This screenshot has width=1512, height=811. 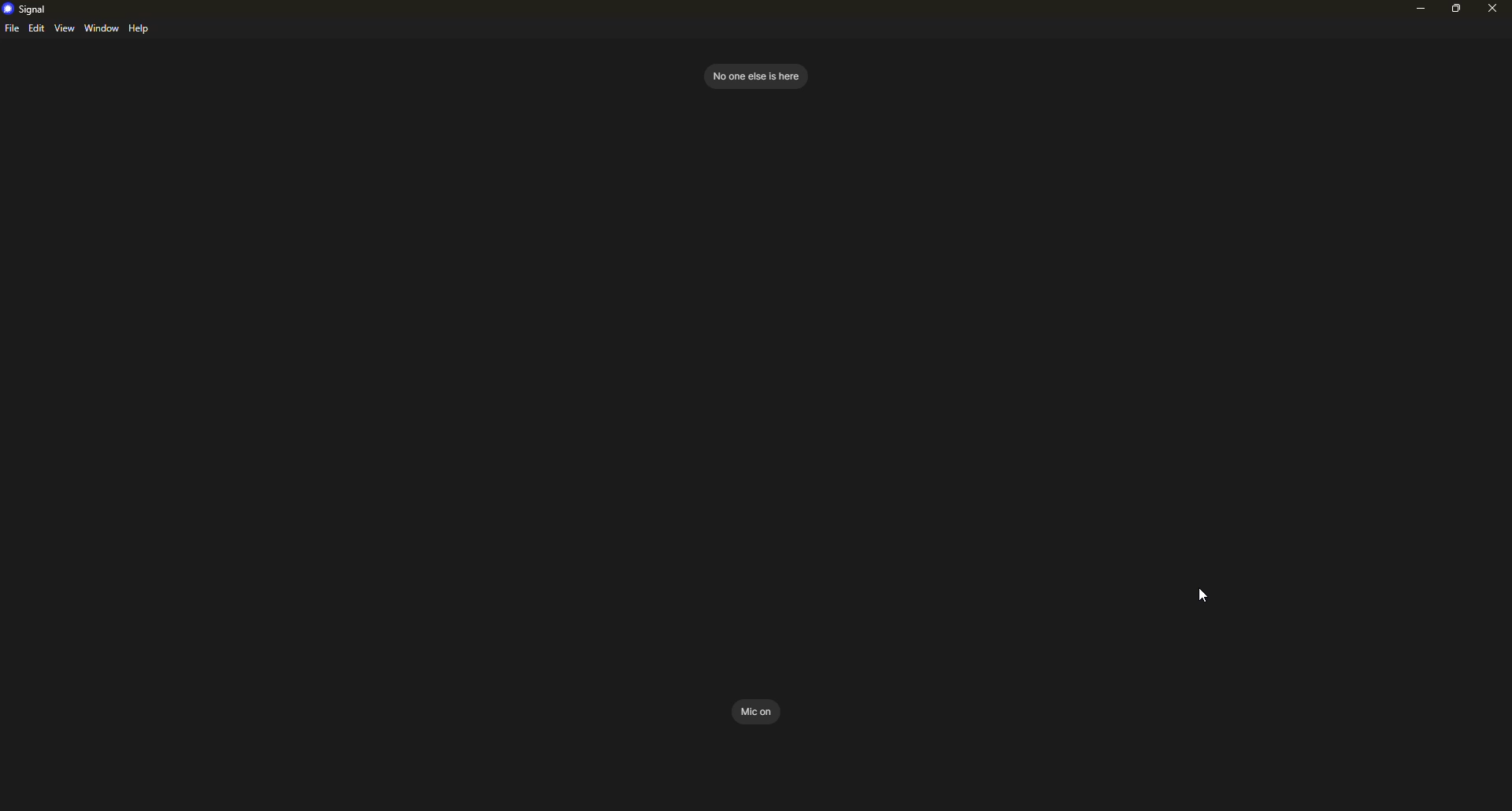 I want to click on maximize, so click(x=1458, y=9).